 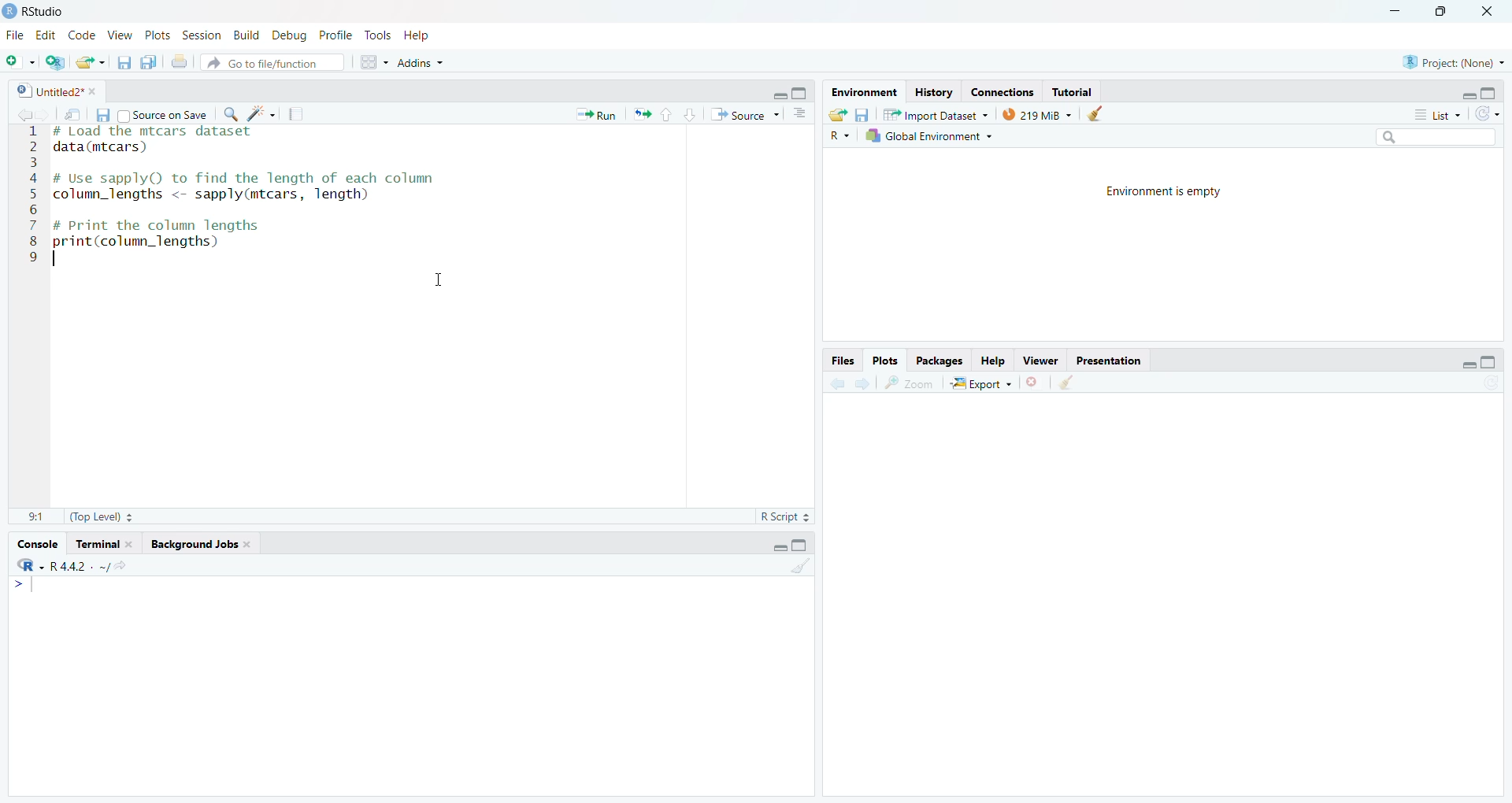 I want to click on Global Environment, so click(x=928, y=135).